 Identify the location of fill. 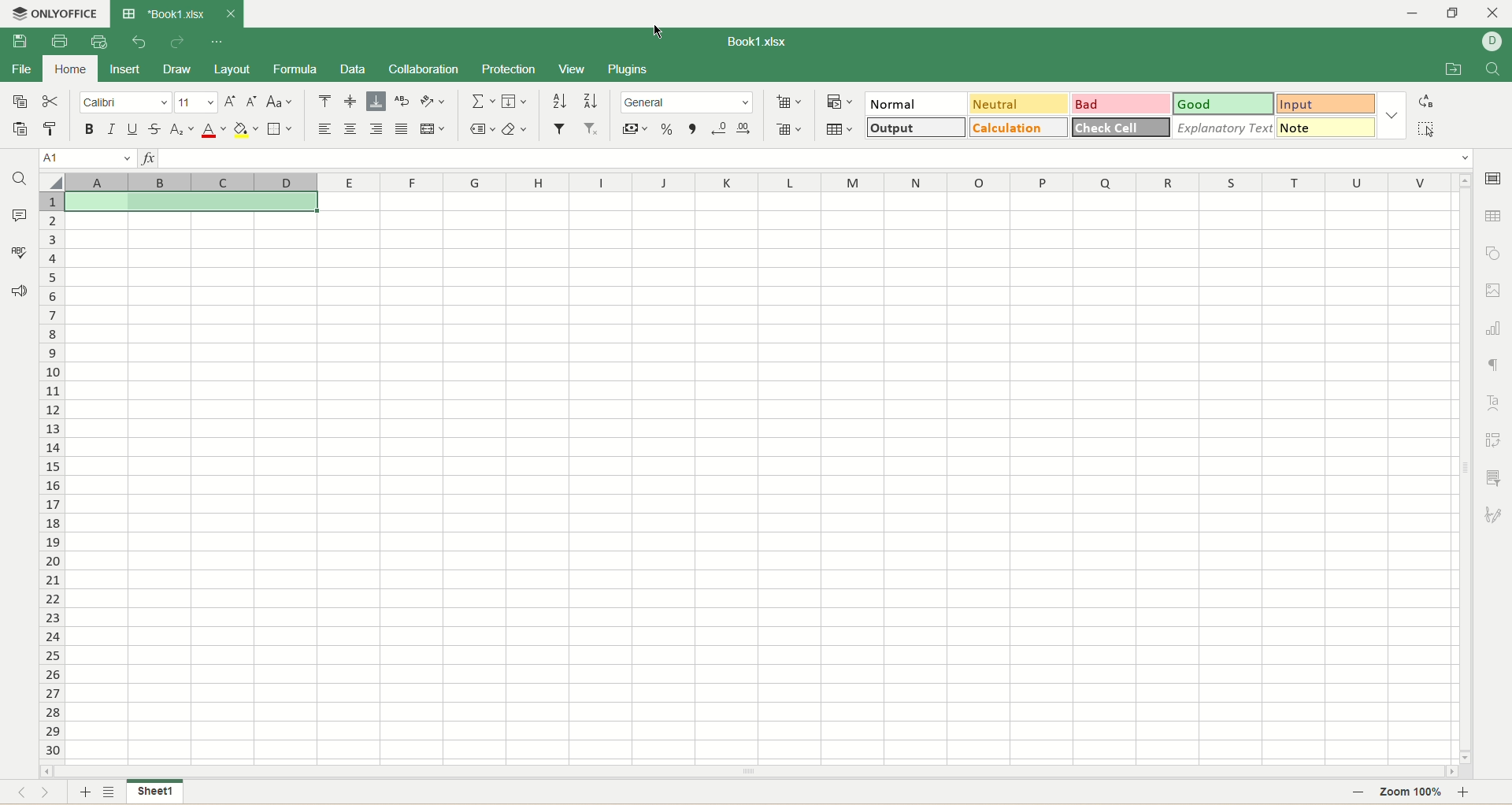
(514, 100).